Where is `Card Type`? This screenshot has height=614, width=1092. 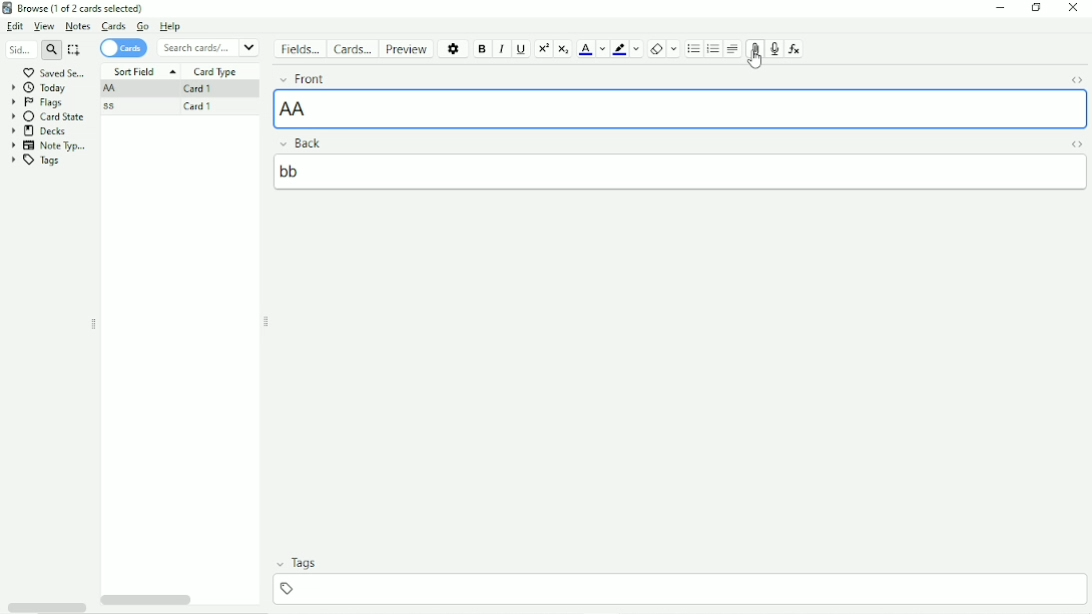
Card Type is located at coordinates (215, 73).